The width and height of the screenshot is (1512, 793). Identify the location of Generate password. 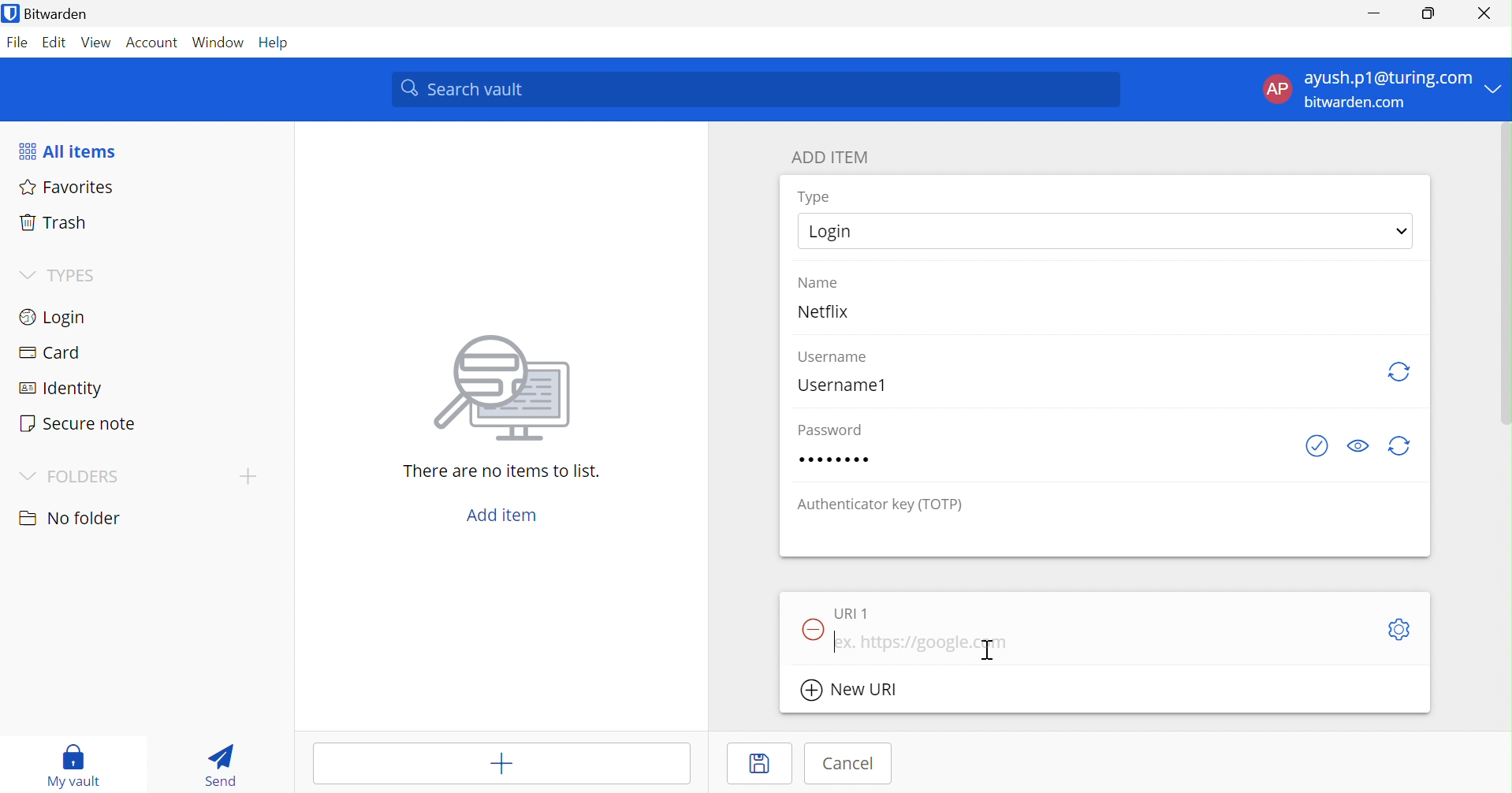
(1398, 446).